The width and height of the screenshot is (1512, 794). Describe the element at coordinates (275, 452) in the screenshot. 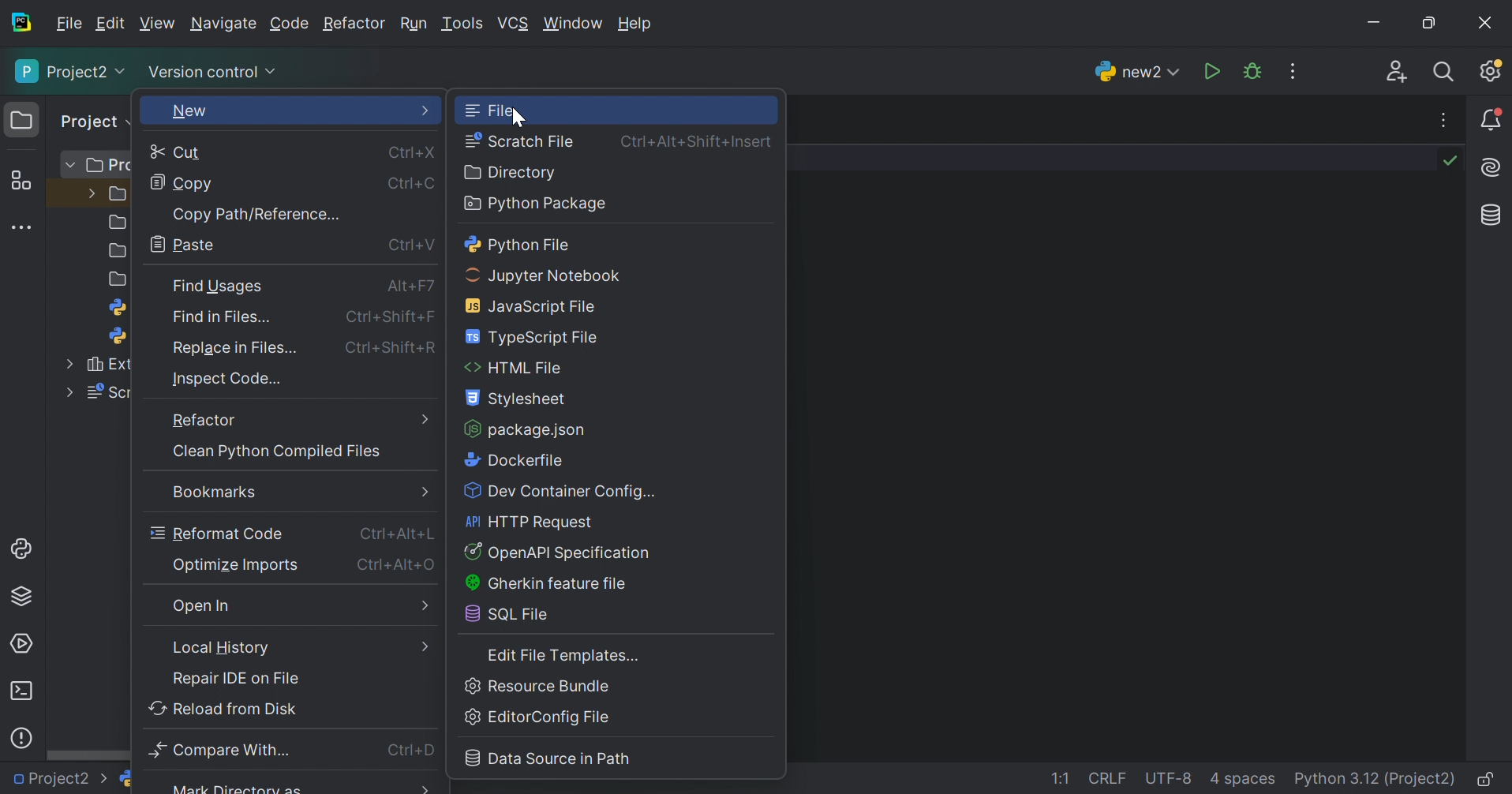

I see `Clean Python Compiled Files` at that location.